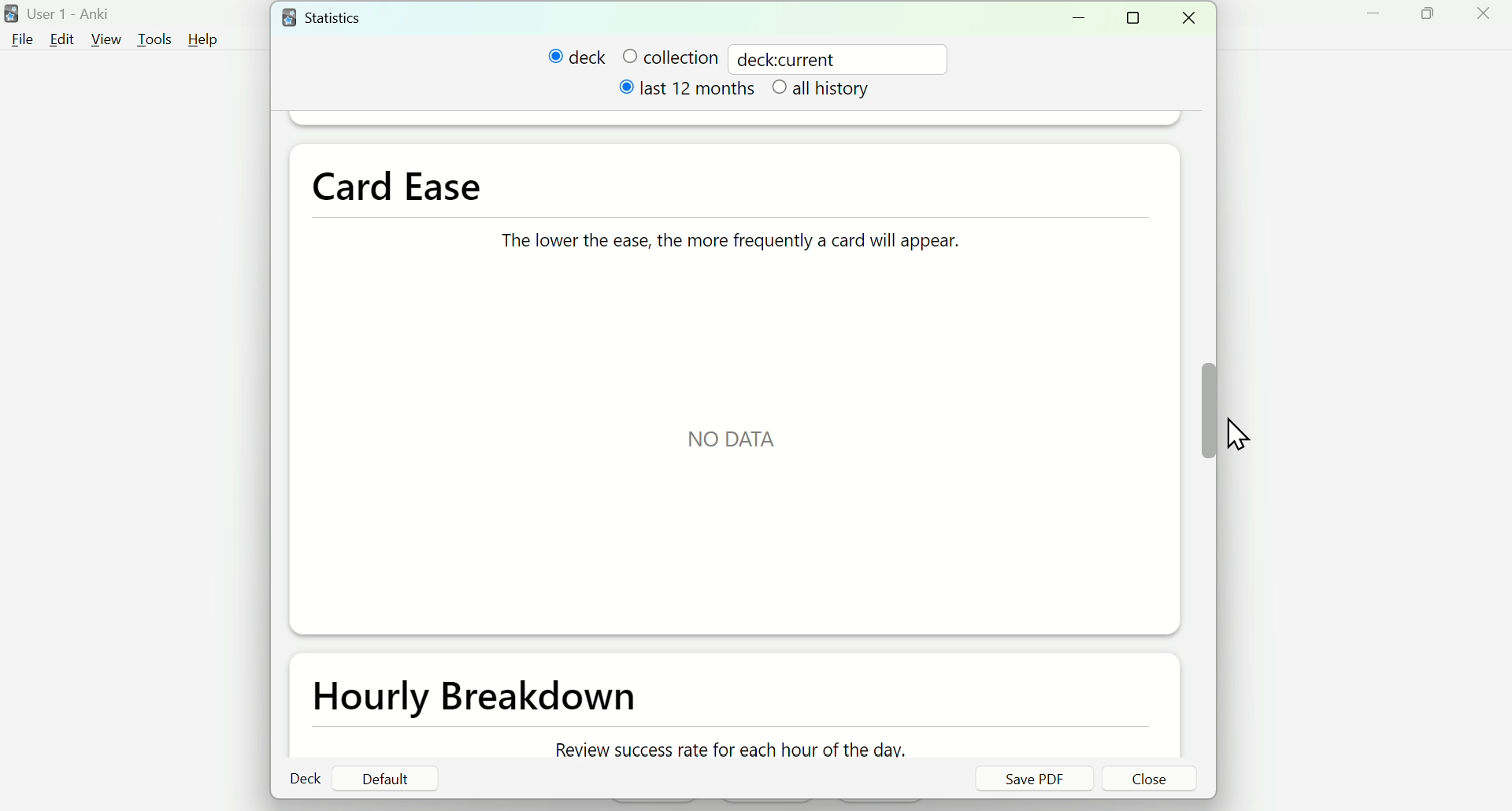 The image size is (1512, 811). What do you see at coordinates (1084, 17) in the screenshot?
I see `Mininize` at bounding box center [1084, 17].